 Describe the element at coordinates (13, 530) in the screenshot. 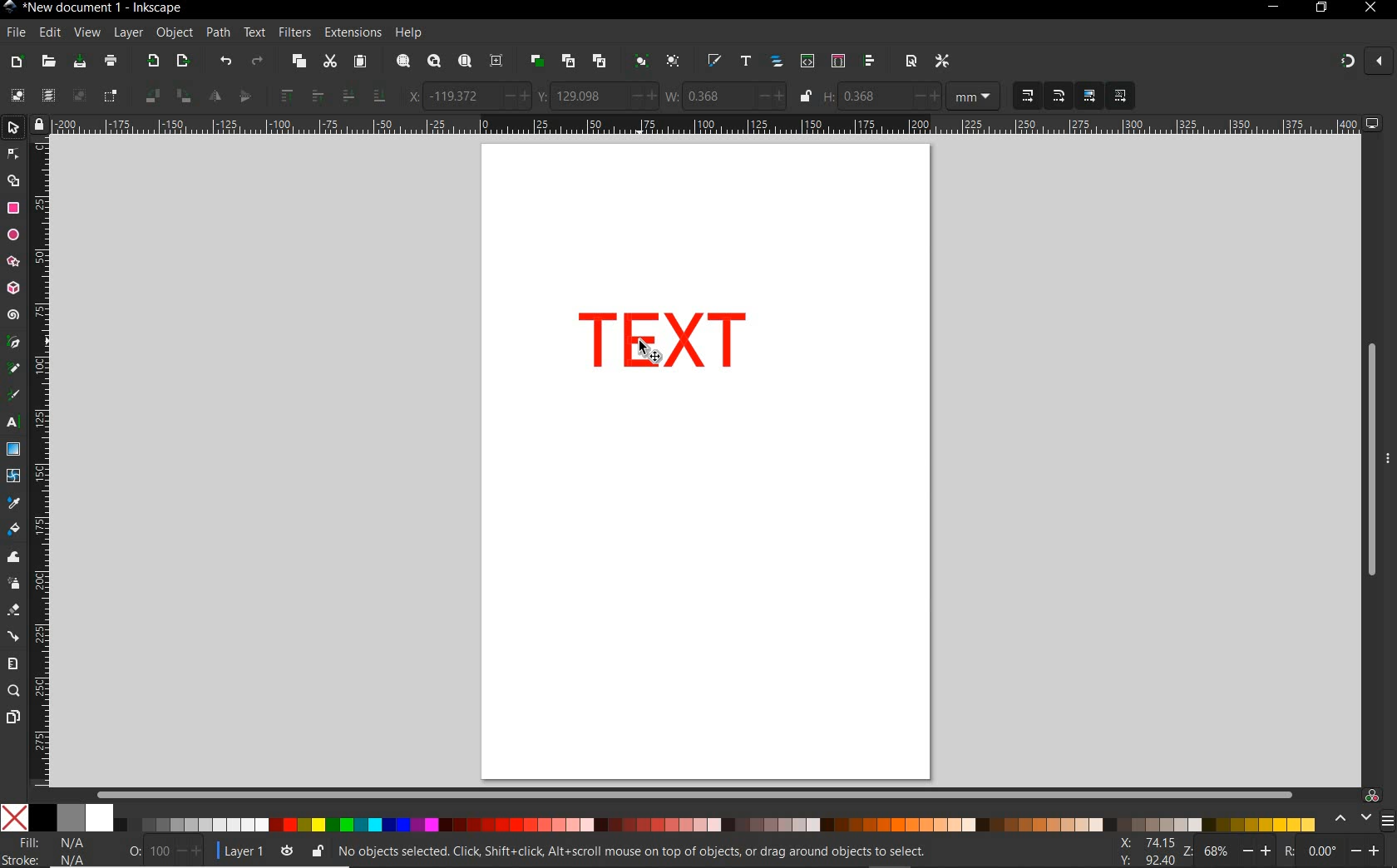

I see `PAINT BUCKET TOOL` at that location.